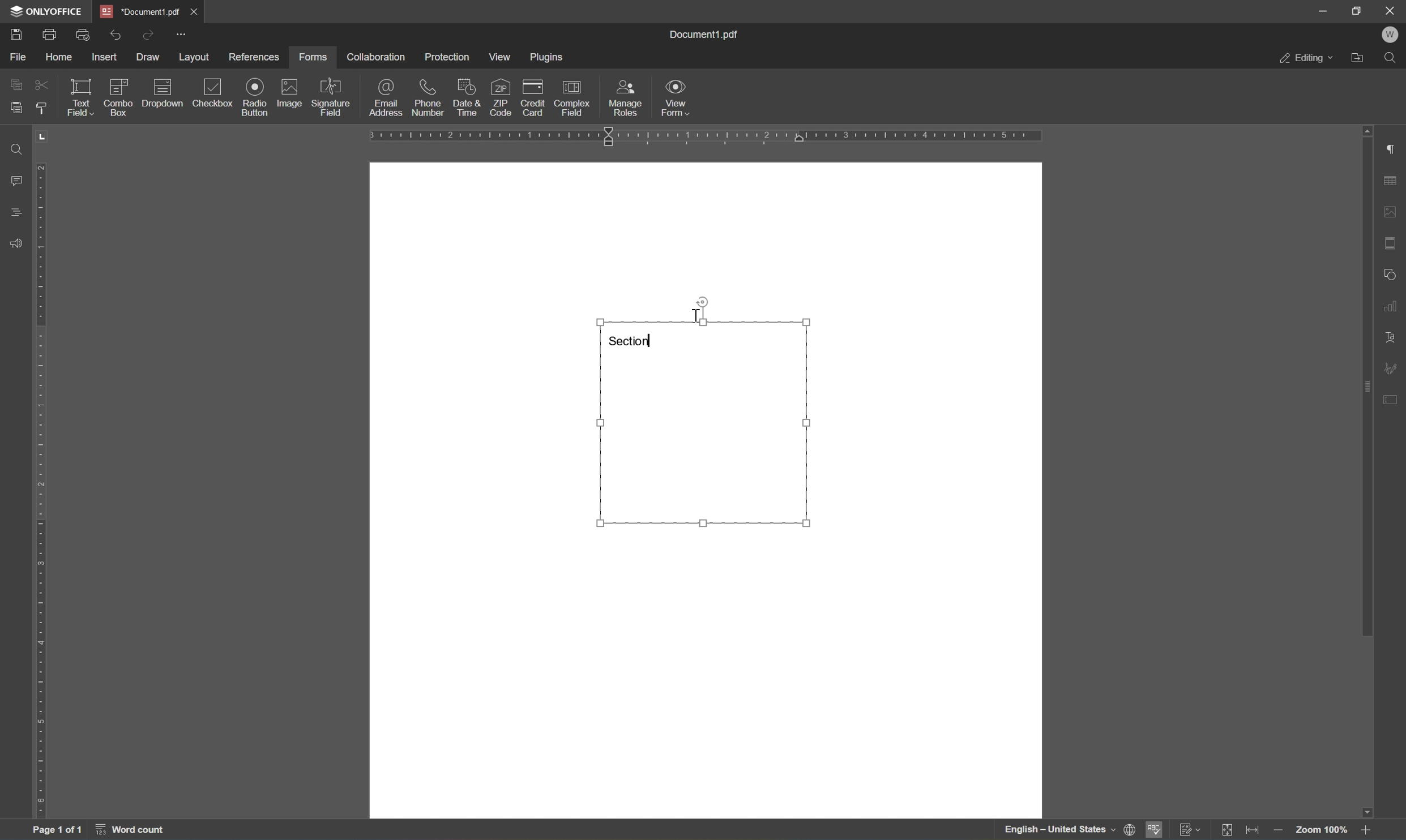 The width and height of the screenshot is (1406, 840). I want to click on view, so click(503, 57).